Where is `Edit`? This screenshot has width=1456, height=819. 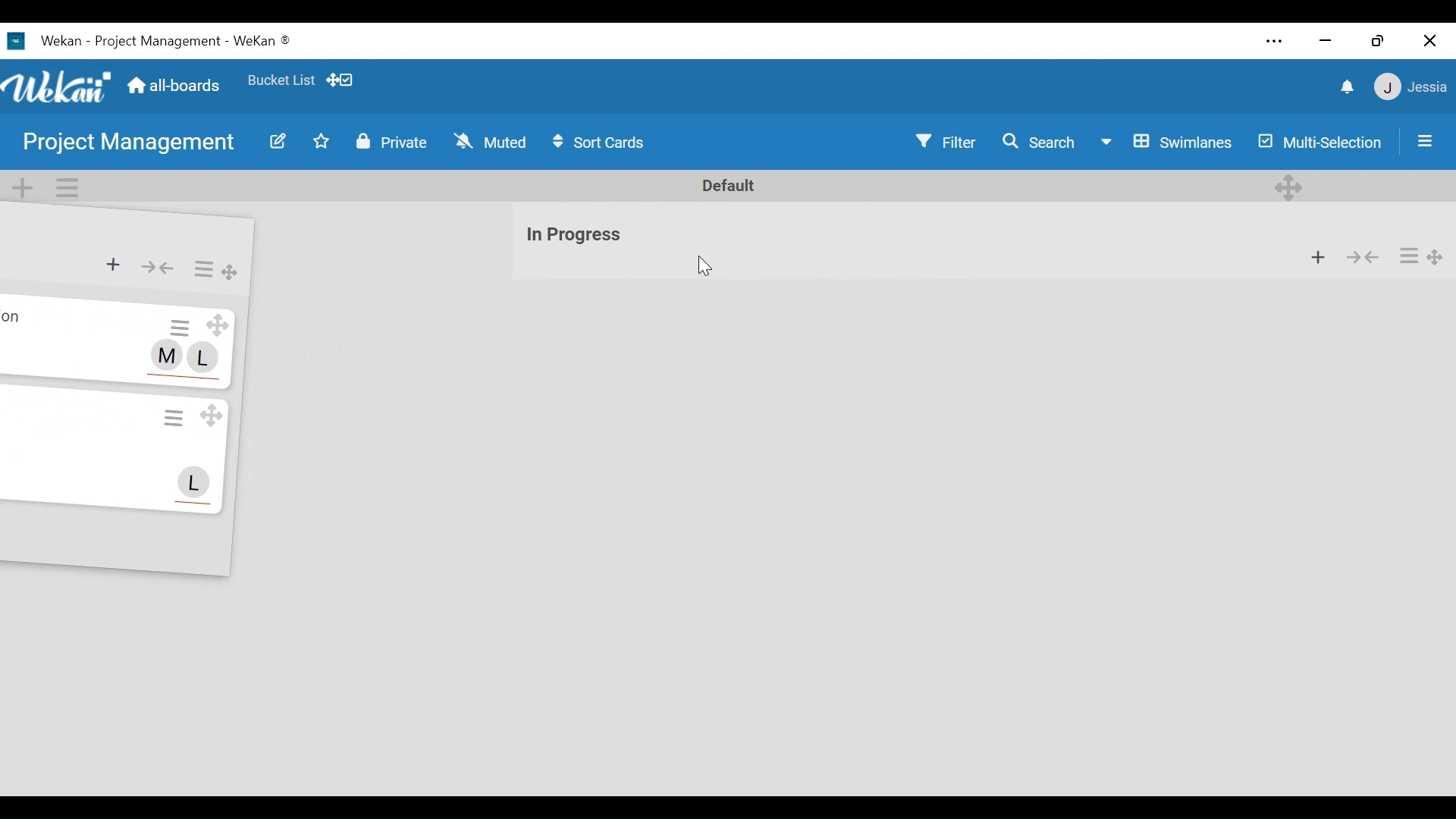 Edit is located at coordinates (279, 140).